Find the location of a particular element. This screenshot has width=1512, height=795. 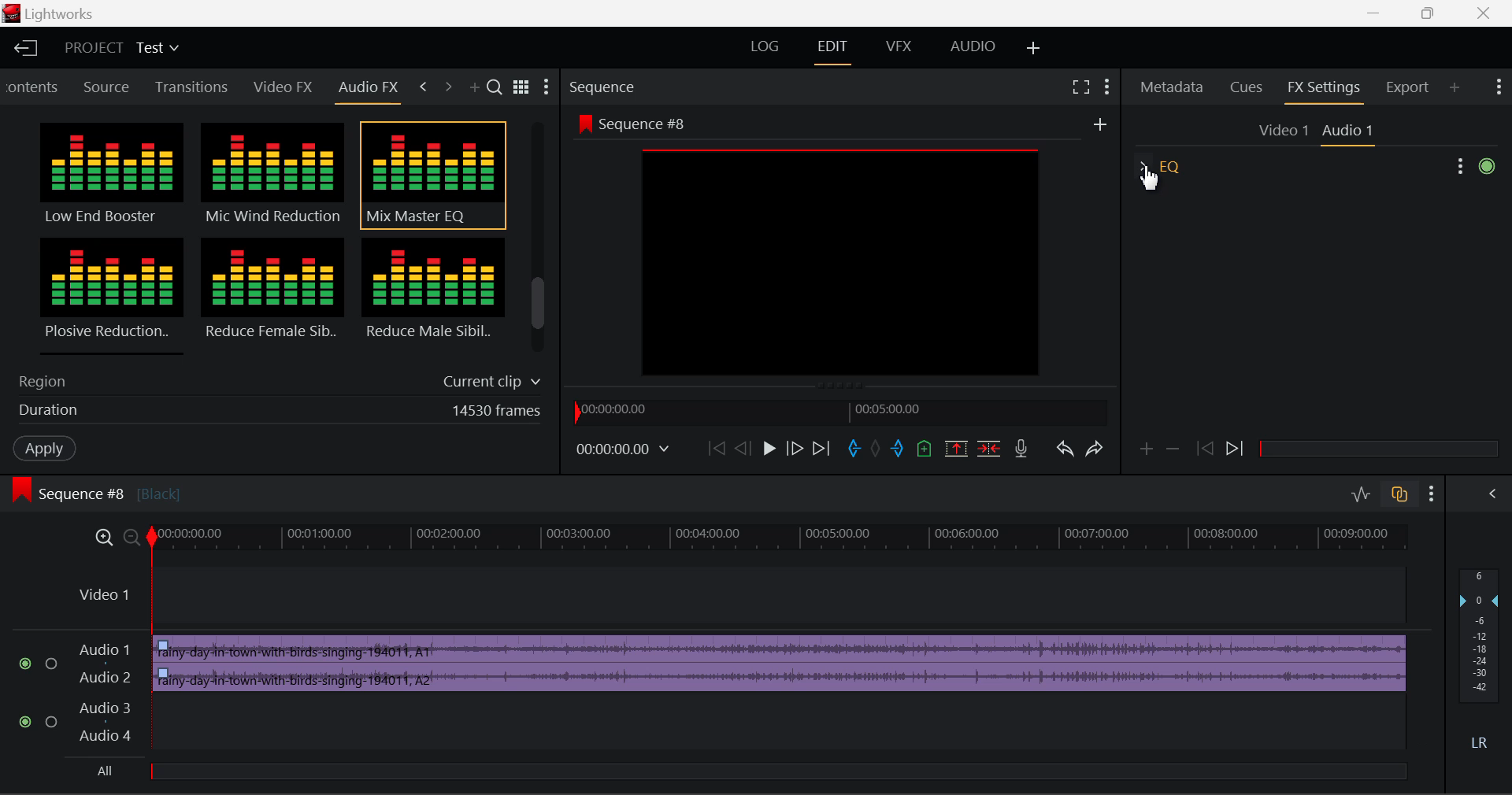

Mart Out is located at coordinates (899, 449).